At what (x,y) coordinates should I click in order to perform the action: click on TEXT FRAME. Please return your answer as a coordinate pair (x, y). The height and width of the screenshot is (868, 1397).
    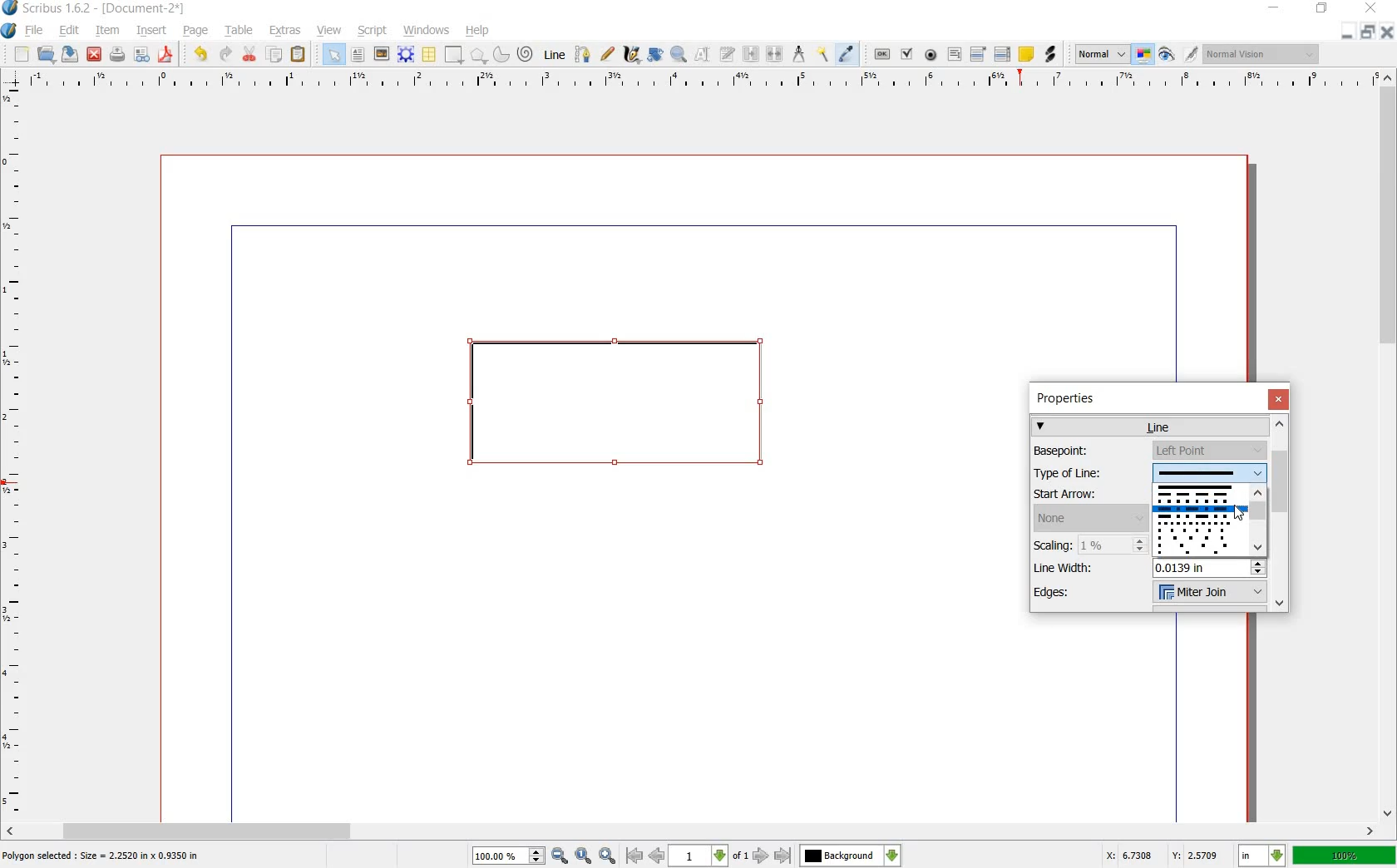
    Looking at the image, I should click on (358, 55).